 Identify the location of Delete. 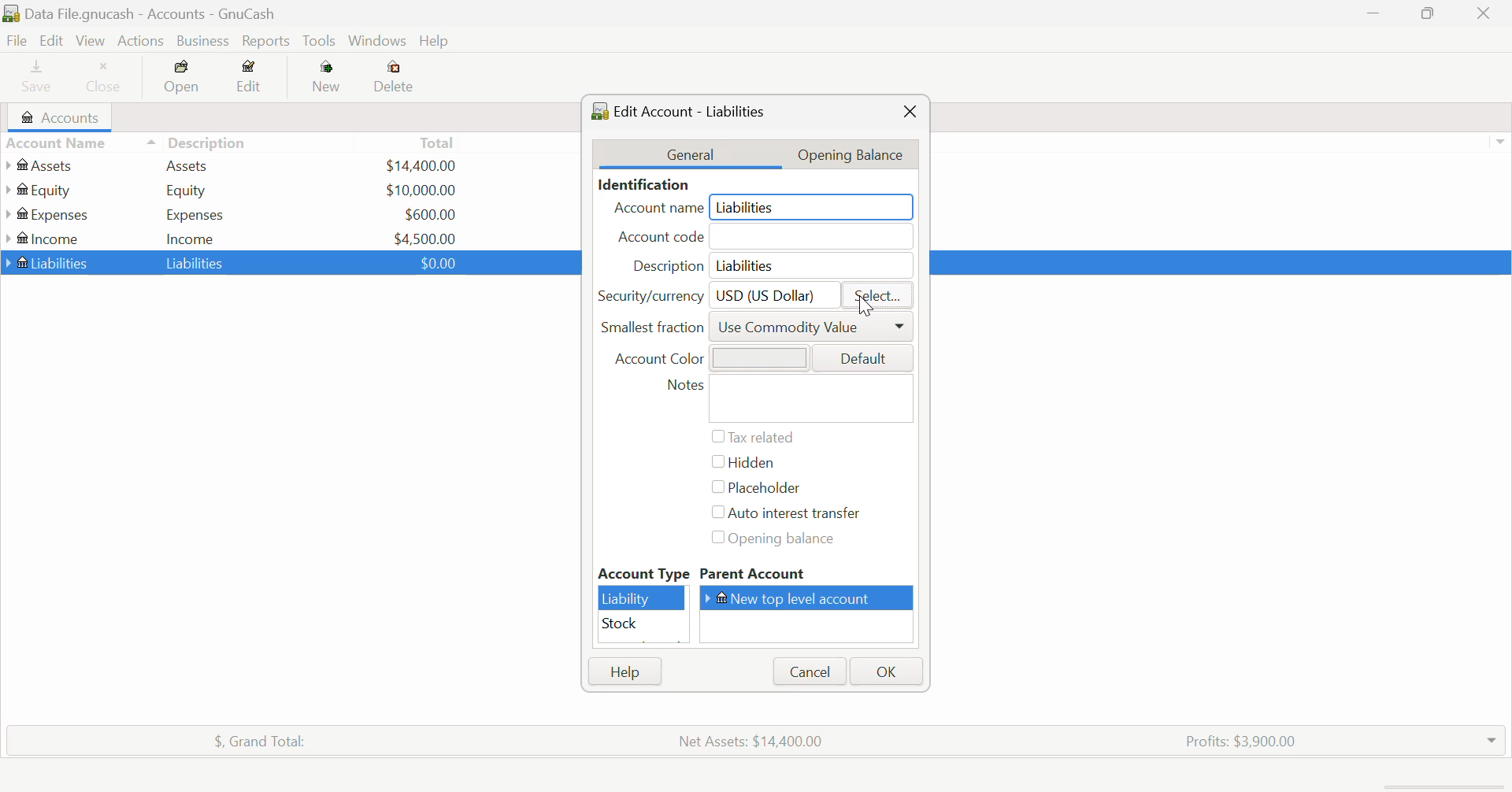
(394, 77).